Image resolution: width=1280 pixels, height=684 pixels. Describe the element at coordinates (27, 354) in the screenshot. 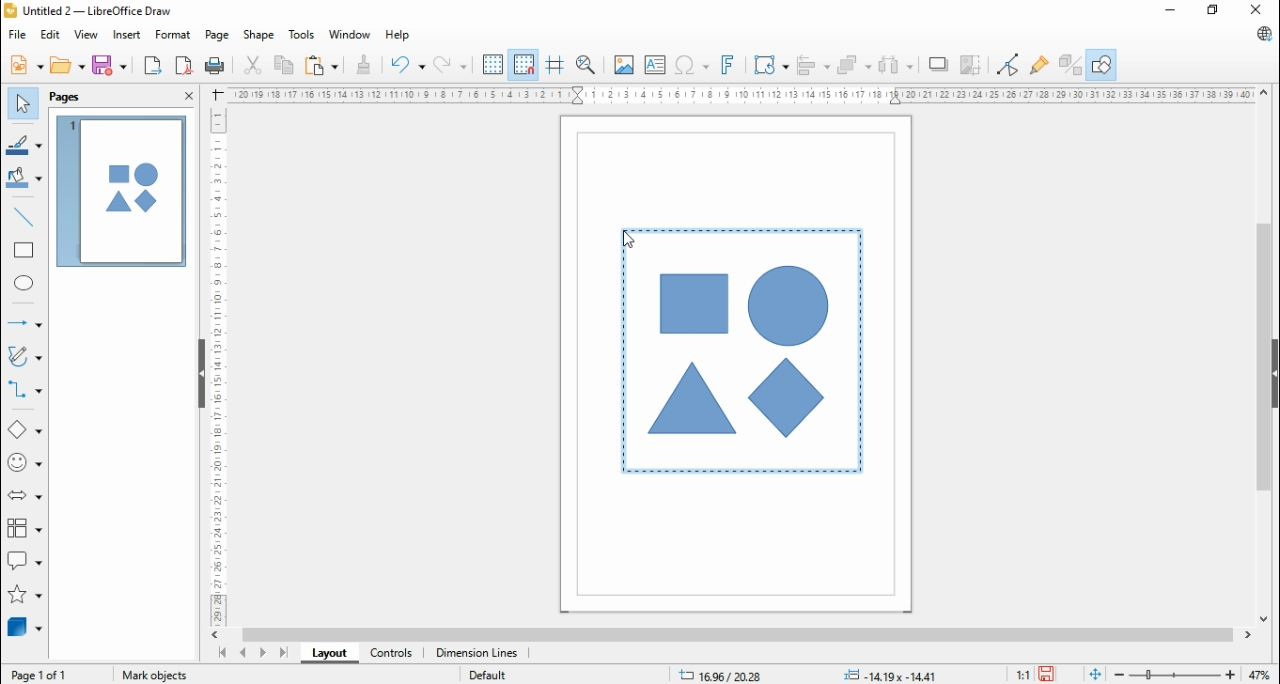

I see `curves and polygons` at that location.